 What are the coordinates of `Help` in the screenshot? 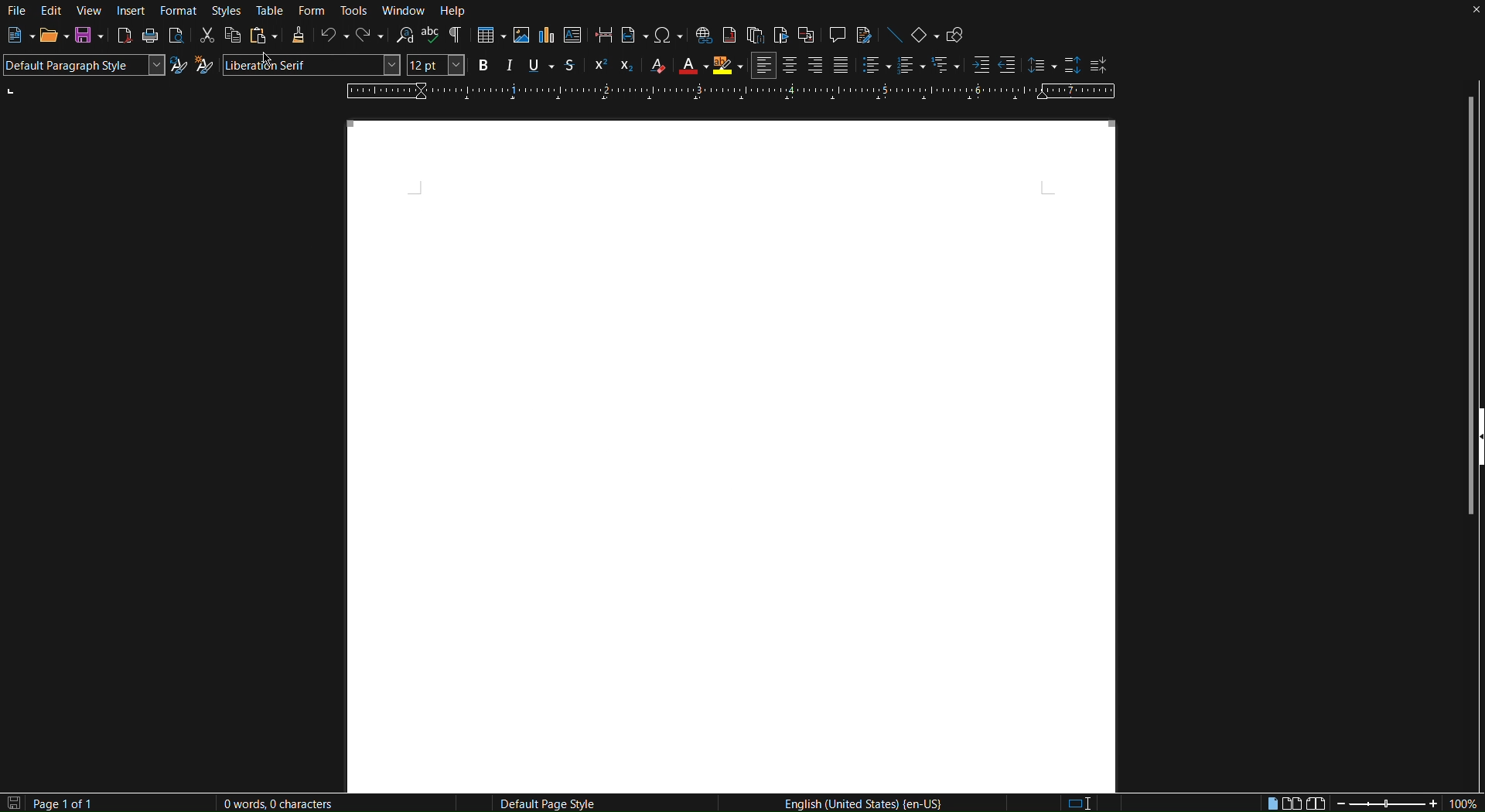 It's located at (457, 12).